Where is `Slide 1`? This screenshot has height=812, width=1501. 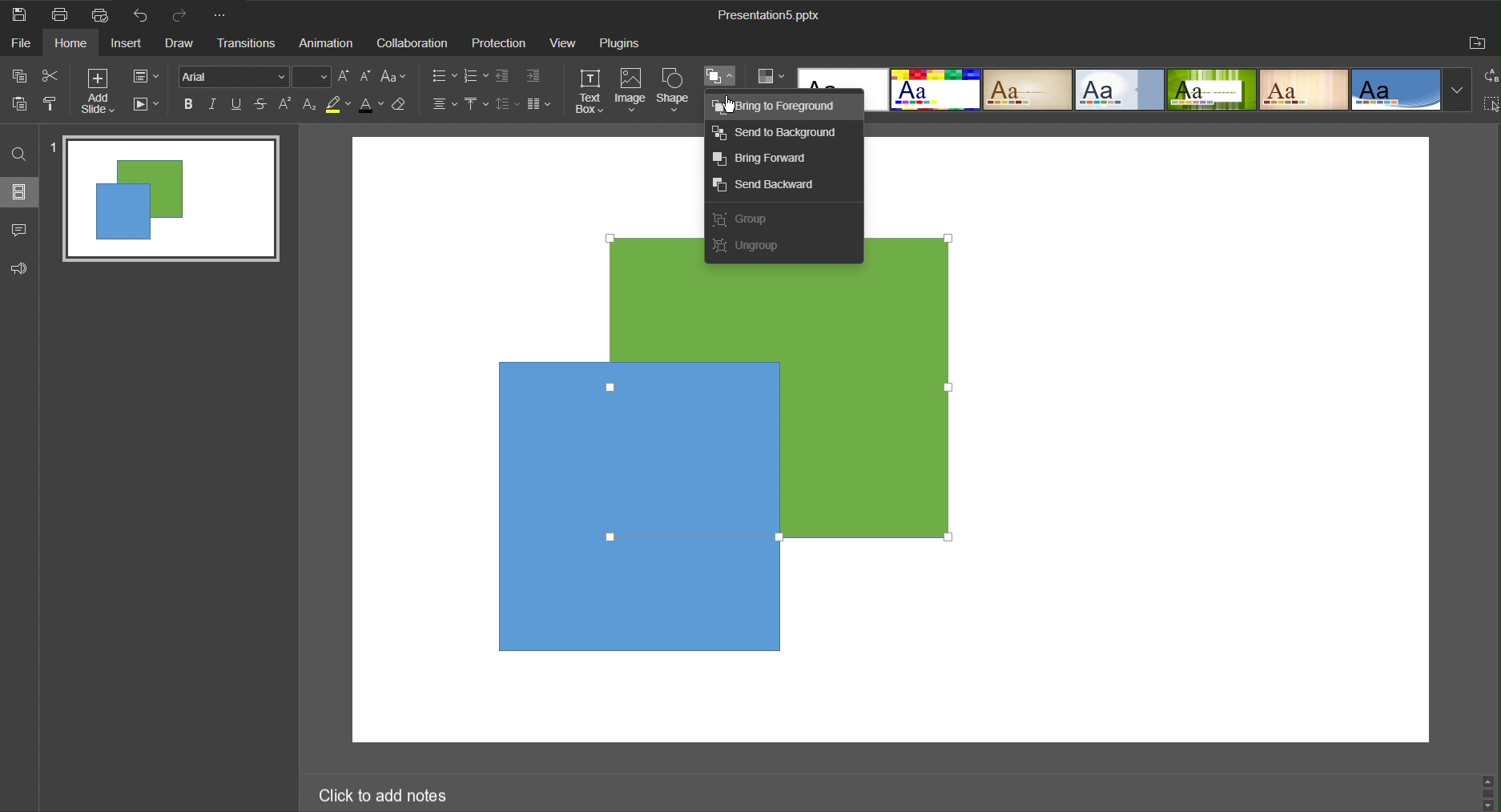
Slide 1 is located at coordinates (165, 198).